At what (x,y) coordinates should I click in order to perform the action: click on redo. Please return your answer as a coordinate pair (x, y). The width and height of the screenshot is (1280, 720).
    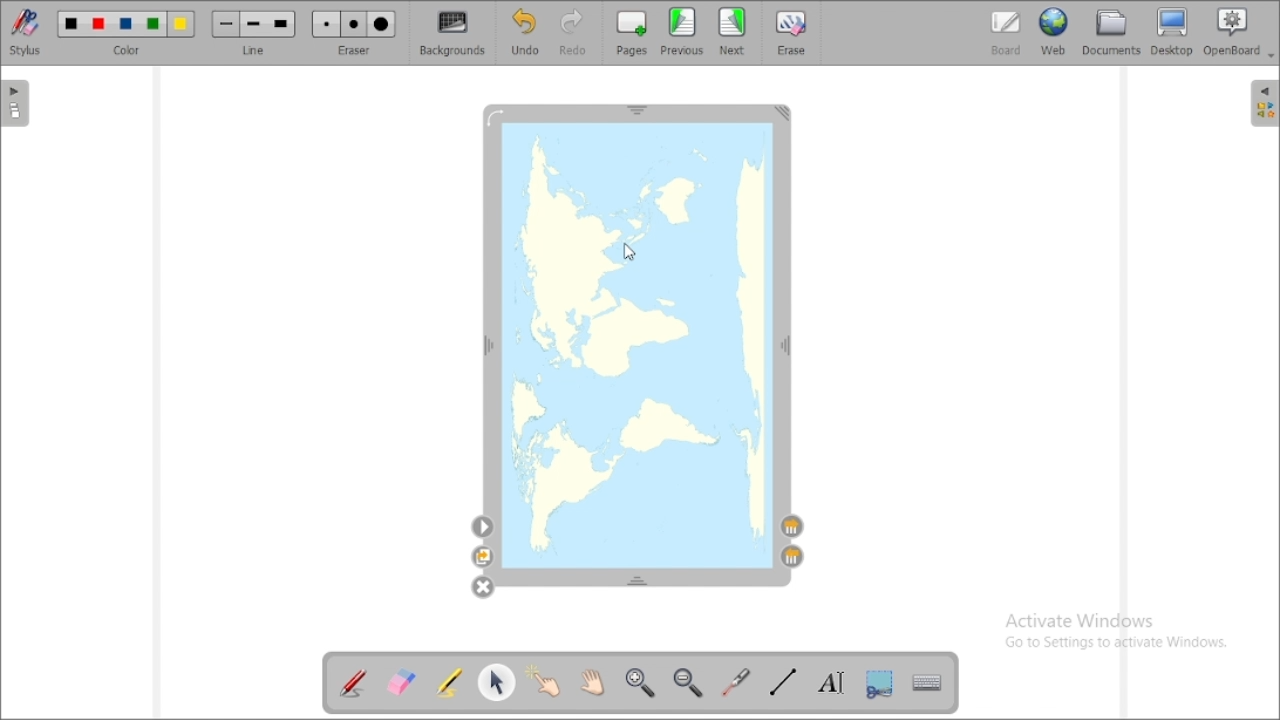
    Looking at the image, I should click on (574, 33).